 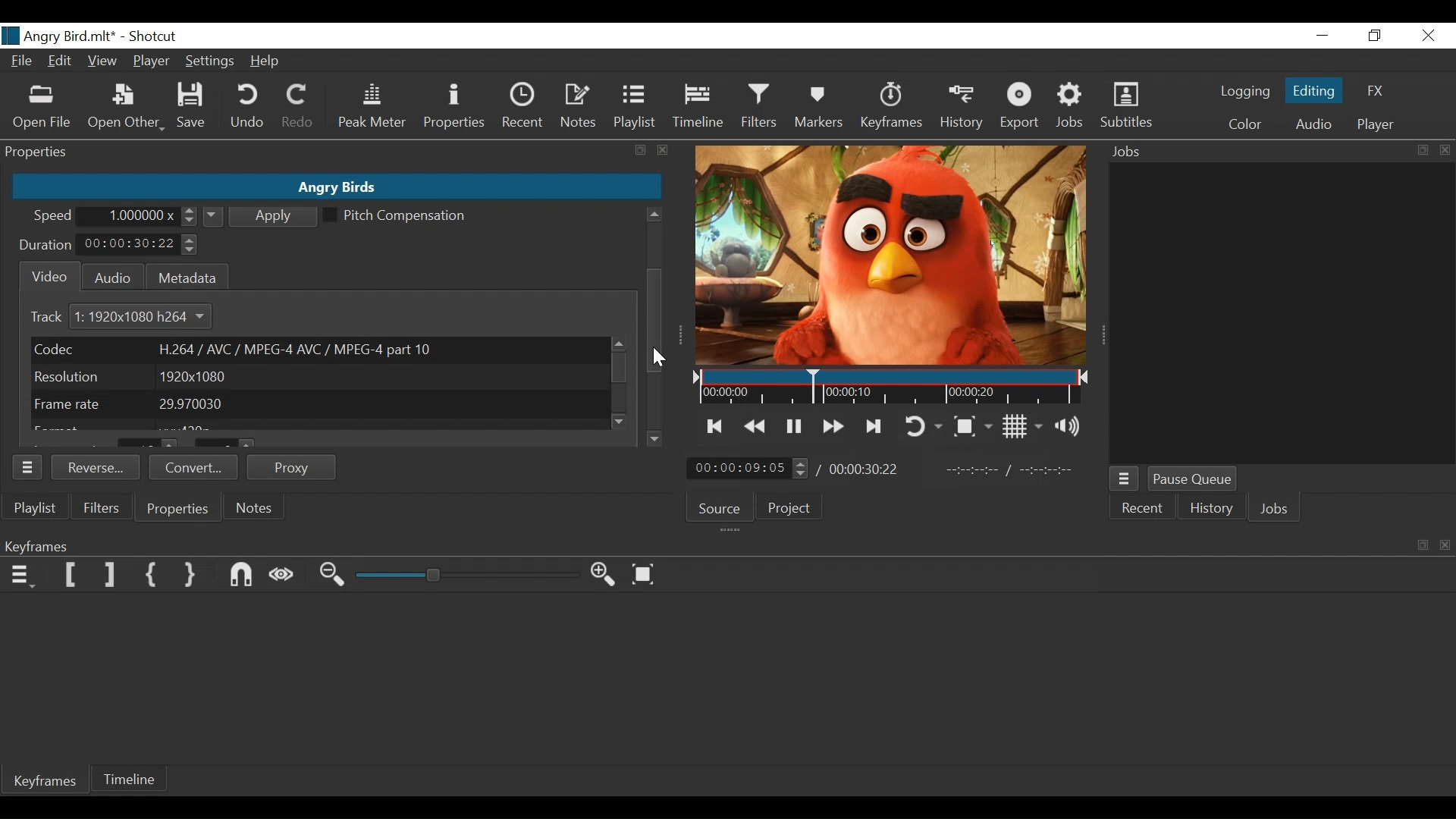 I want to click on Color, so click(x=1245, y=124).